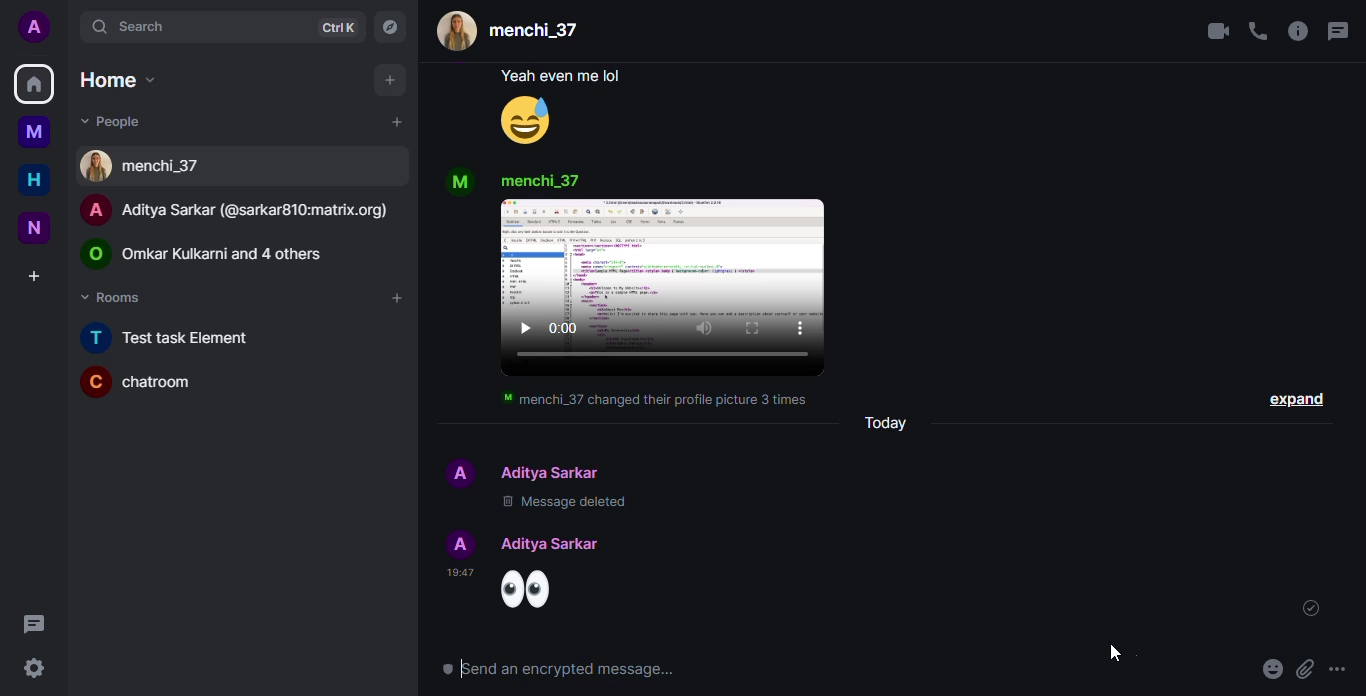 Image resolution: width=1366 pixels, height=696 pixels. What do you see at coordinates (35, 278) in the screenshot?
I see `create a space` at bounding box center [35, 278].